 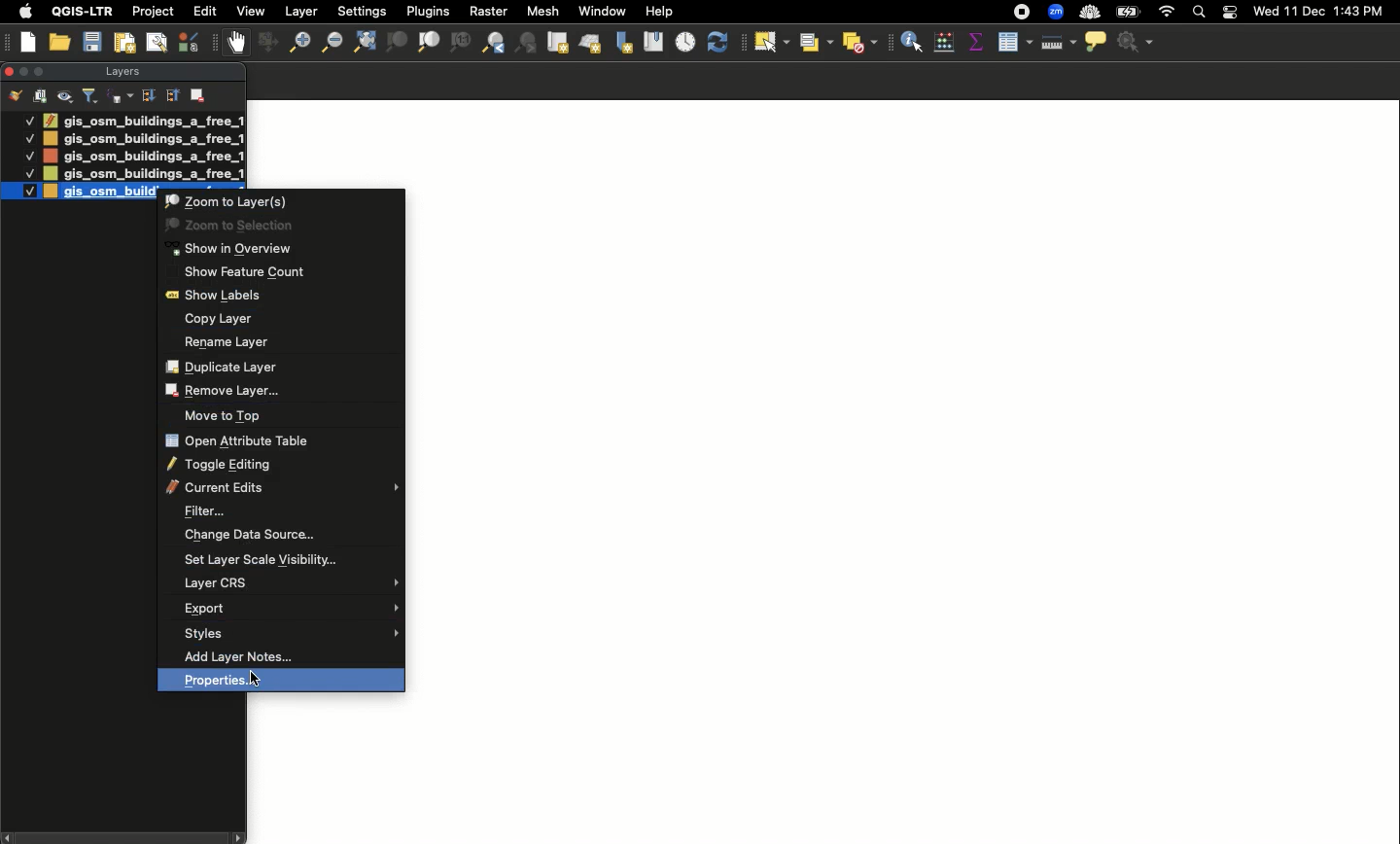 I want to click on Remove layer, so click(x=274, y=392).